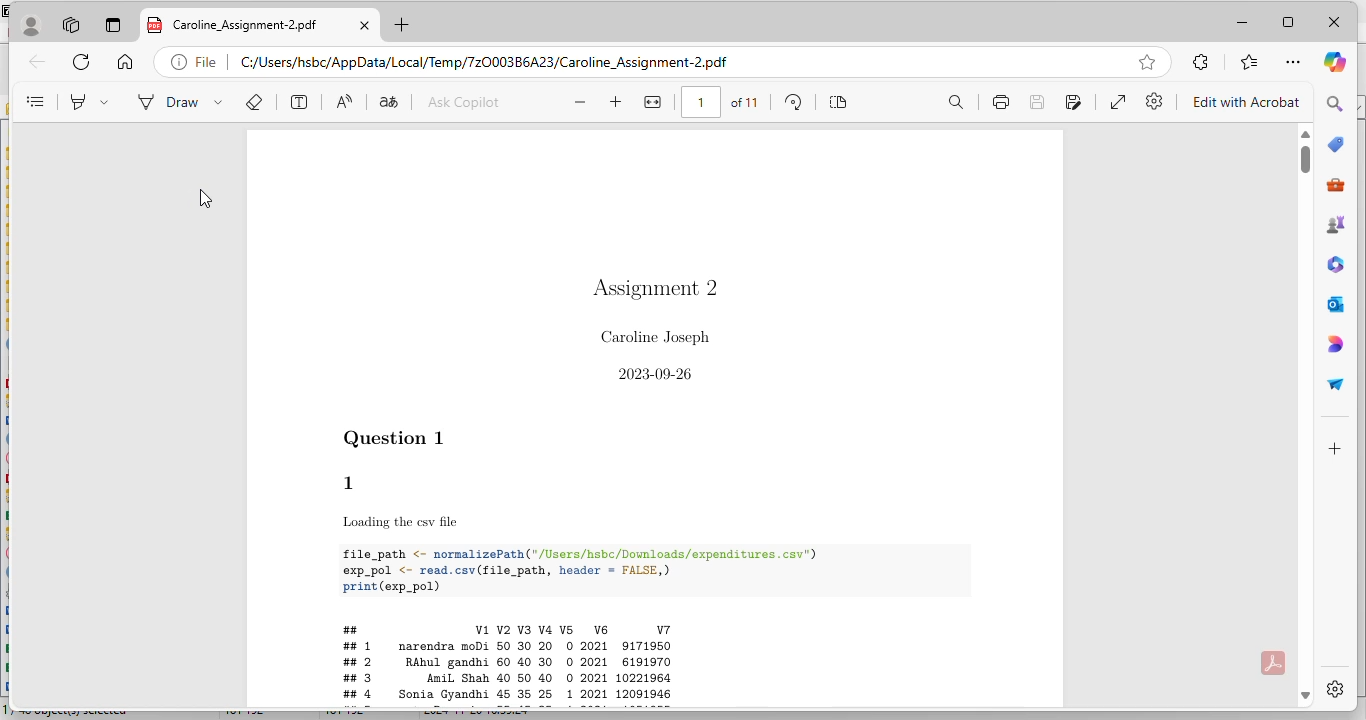  I want to click on copilot, so click(1335, 61).